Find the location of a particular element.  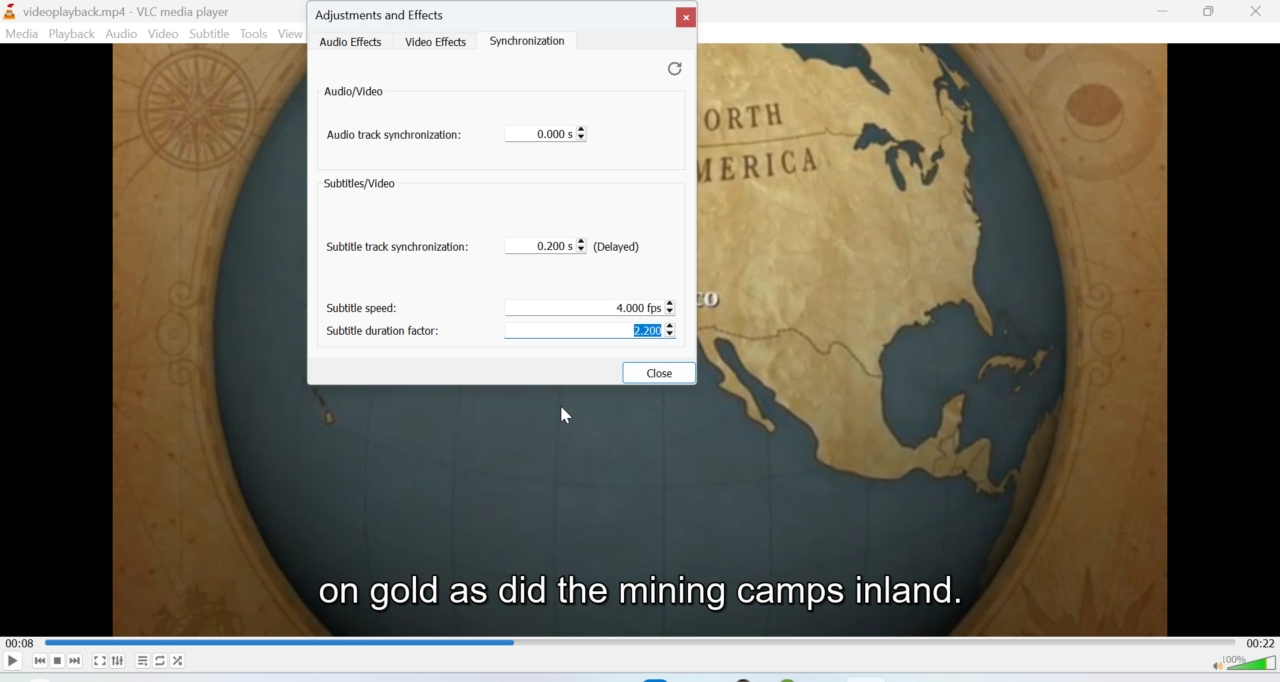

audio track synchronization input is located at coordinates (547, 133).